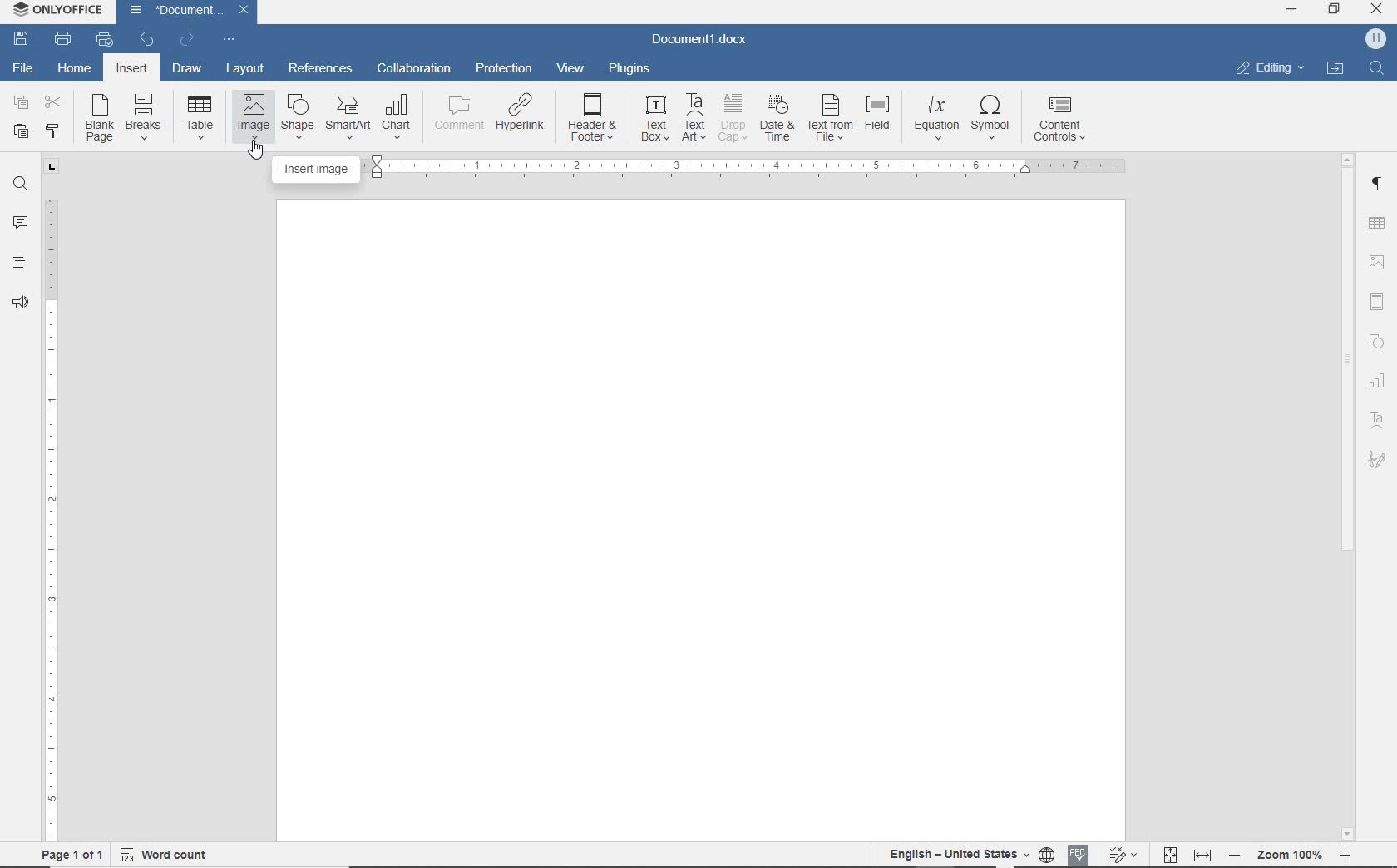 The width and height of the screenshot is (1397, 868). What do you see at coordinates (1379, 262) in the screenshot?
I see `image` at bounding box center [1379, 262].